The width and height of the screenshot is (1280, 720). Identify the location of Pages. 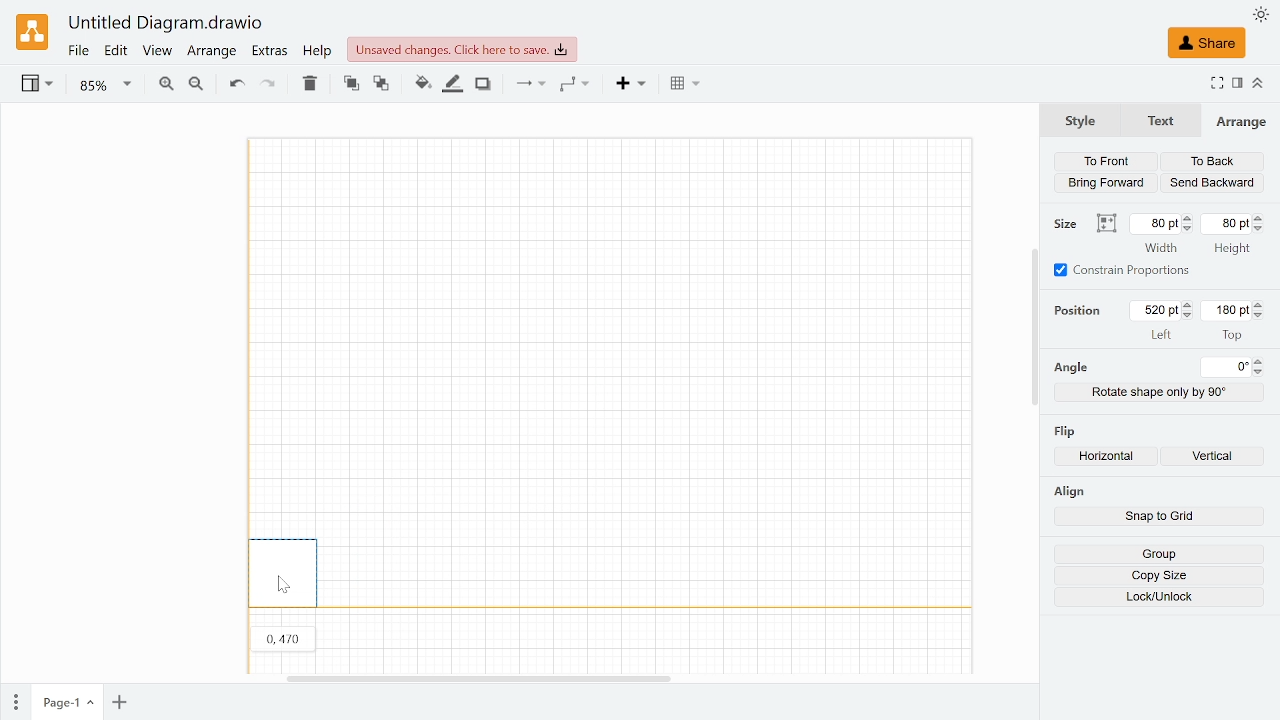
(14, 703).